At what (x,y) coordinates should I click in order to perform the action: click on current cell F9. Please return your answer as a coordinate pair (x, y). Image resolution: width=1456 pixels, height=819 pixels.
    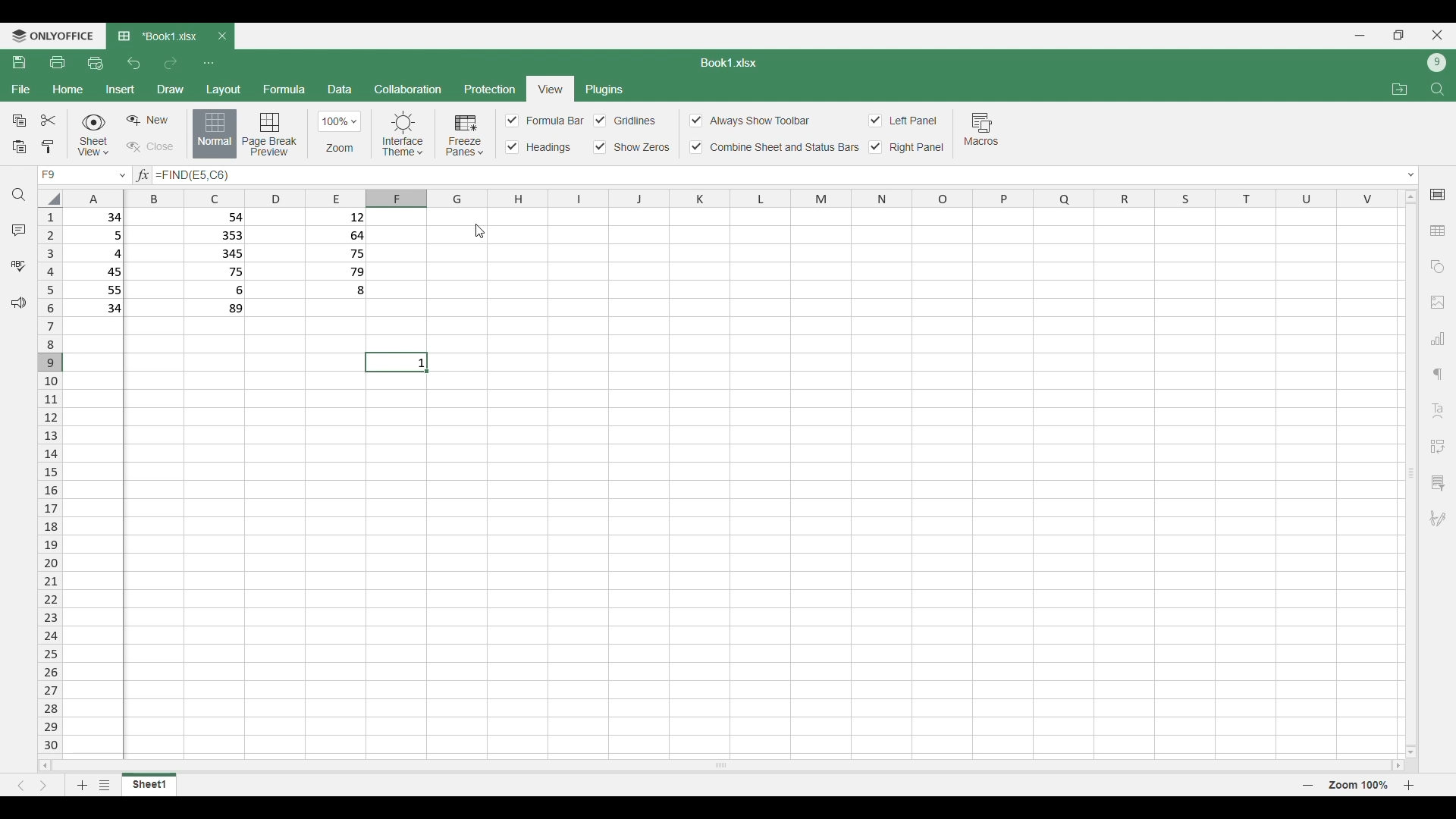
    Looking at the image, I should click on (86, 175).